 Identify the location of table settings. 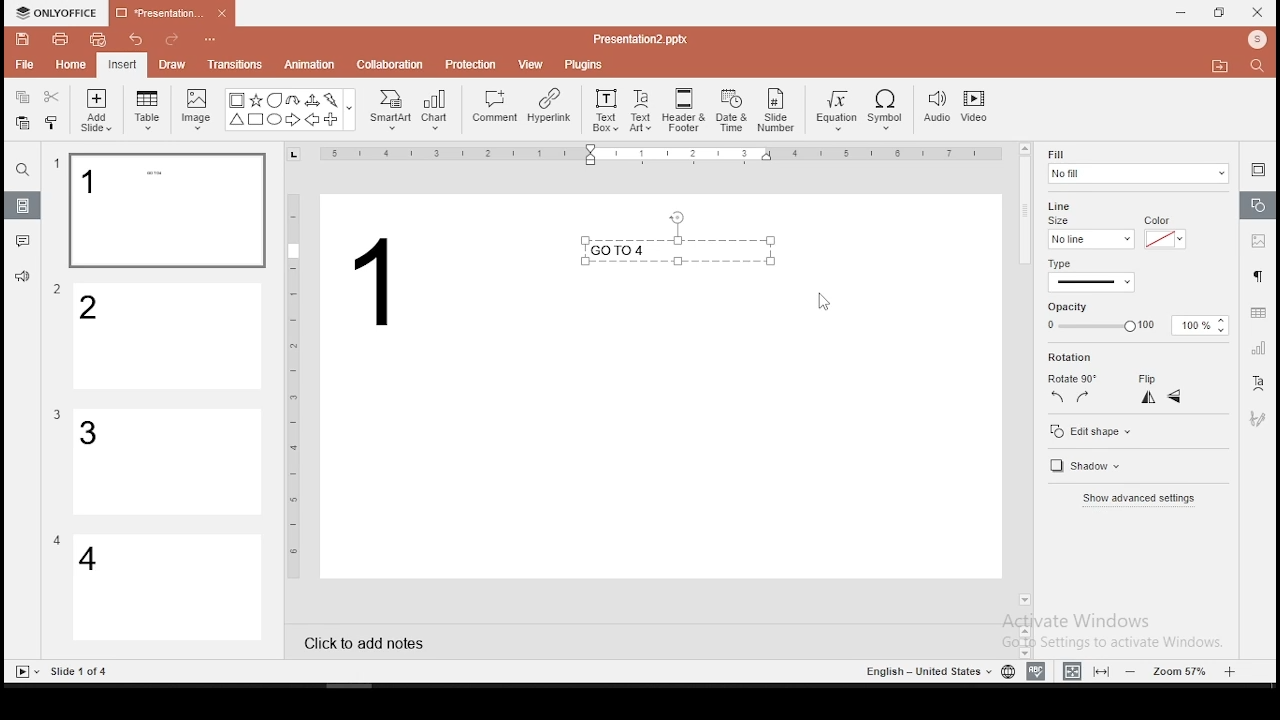
(1256, 313).